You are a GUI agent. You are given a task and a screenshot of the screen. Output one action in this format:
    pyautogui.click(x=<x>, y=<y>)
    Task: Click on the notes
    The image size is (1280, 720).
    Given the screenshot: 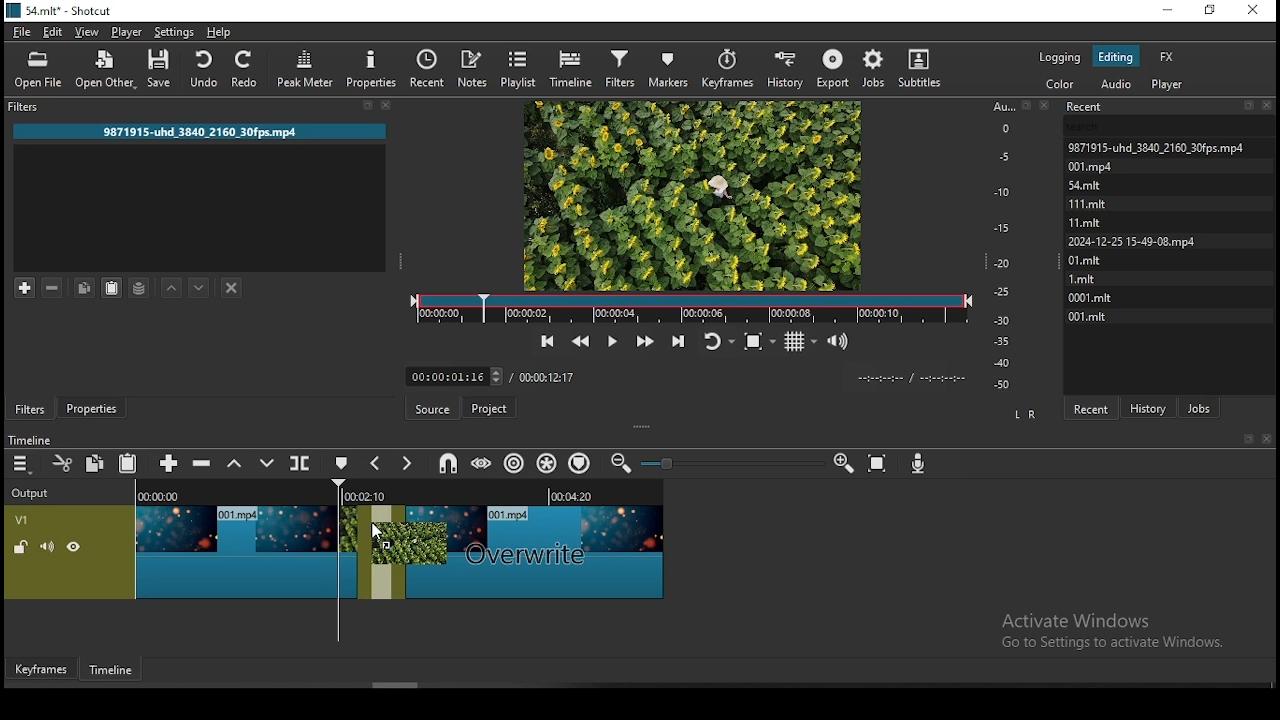 What is the action you would take?
    pyautogui.click(x=471, y=68)
    